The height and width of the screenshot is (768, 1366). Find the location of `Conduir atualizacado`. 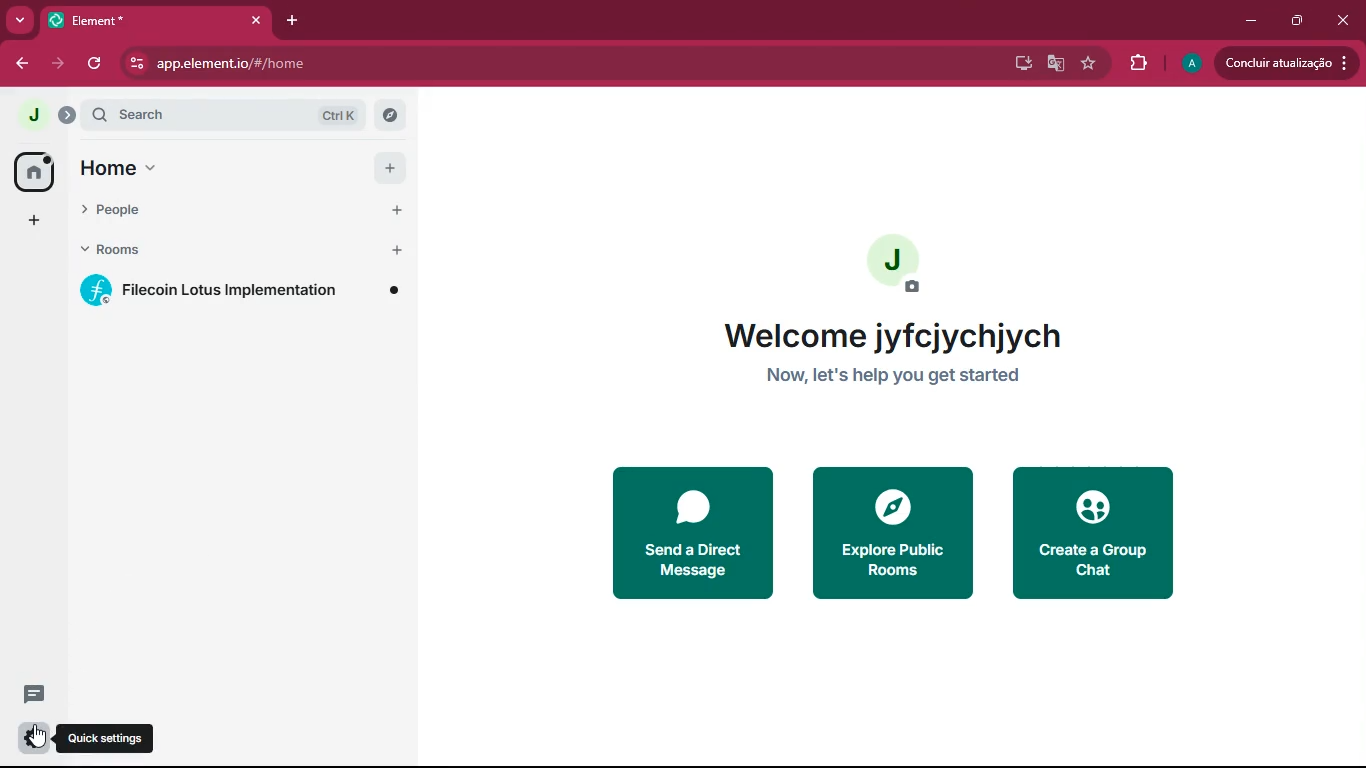

Conduir atualizacado is located at coordinates (1284, 63).